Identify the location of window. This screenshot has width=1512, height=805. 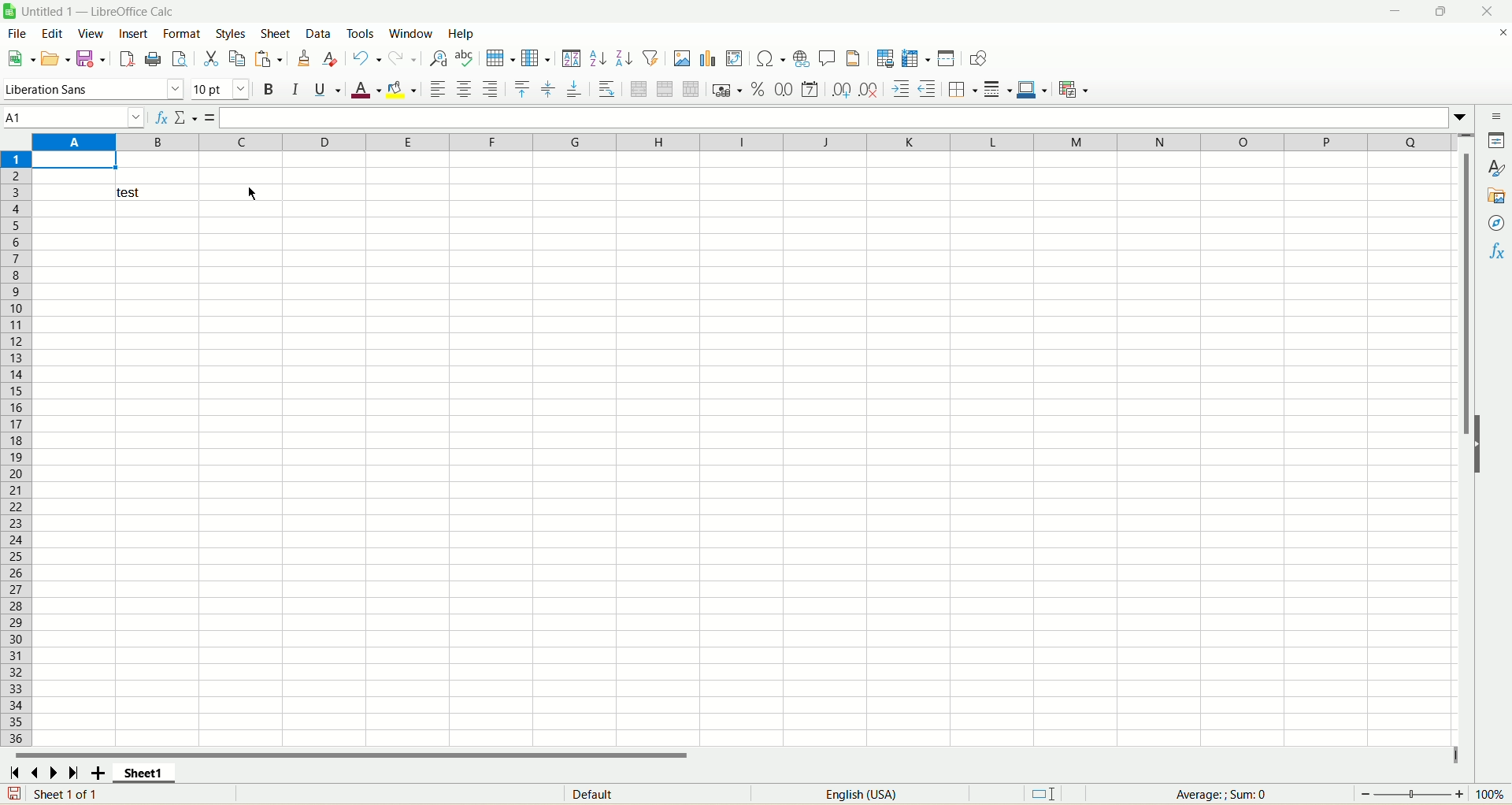
(414, 33).